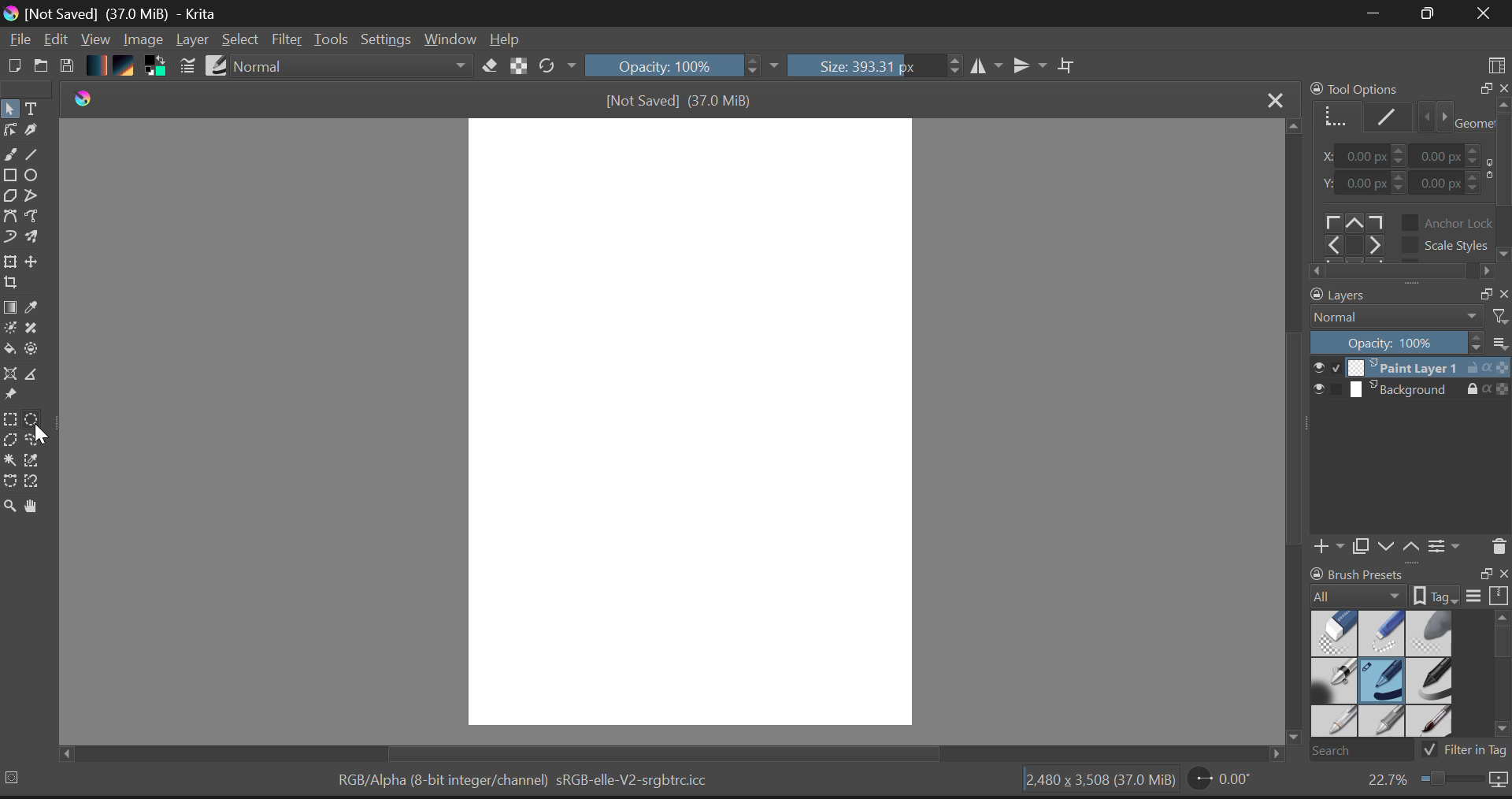 The height and width of the screenshot is (799, 1512). Describe the element at coordinates (988, 67) in the screenshot. I see `Vertical Mirror Flip` at that location.